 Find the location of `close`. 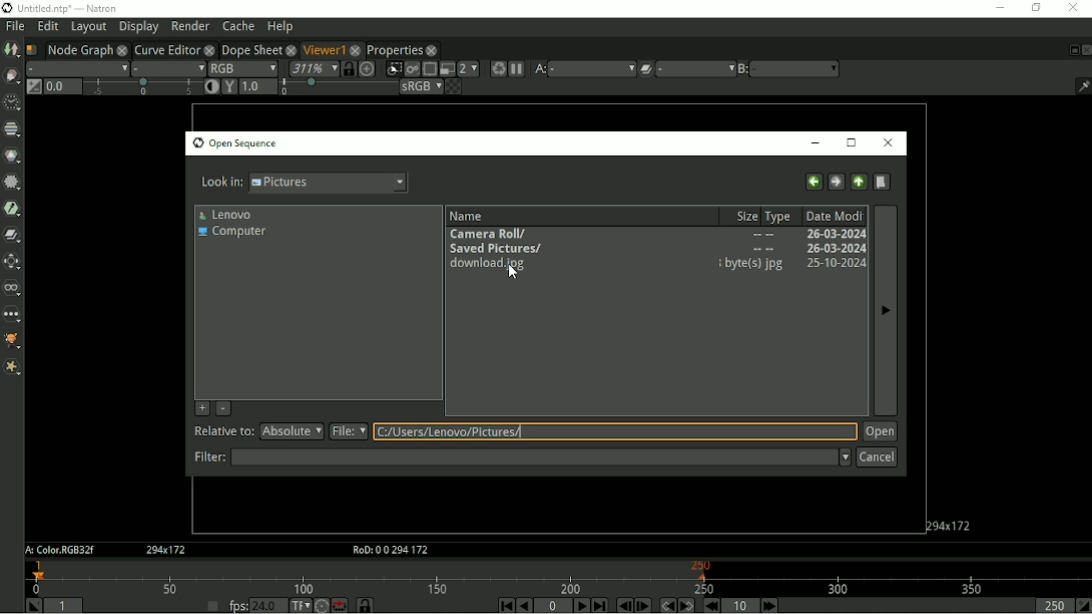

close is located at coordinates (122, 49).